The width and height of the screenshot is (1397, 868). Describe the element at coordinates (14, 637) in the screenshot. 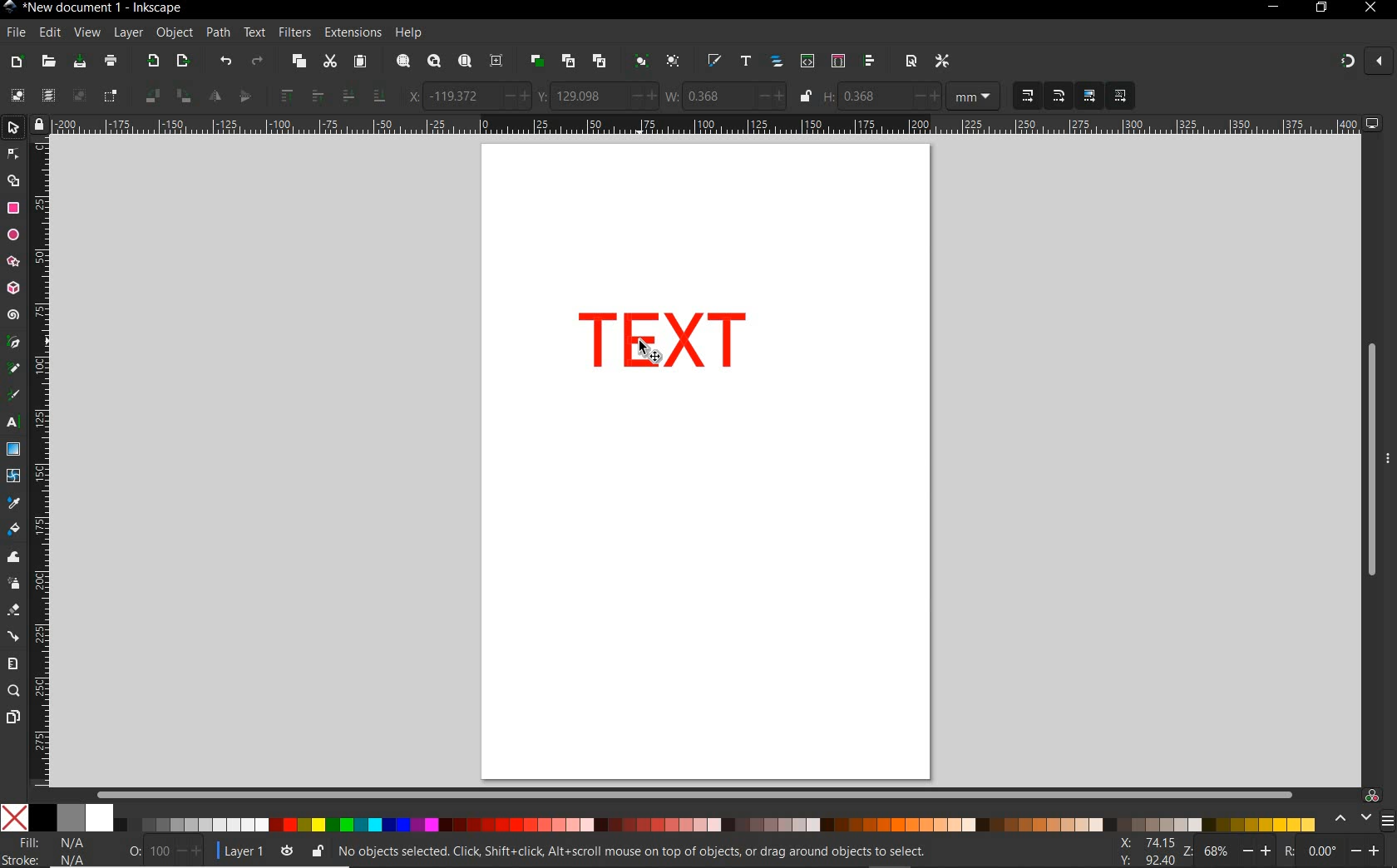

I see `CONNECTOR TOOL` at that location.